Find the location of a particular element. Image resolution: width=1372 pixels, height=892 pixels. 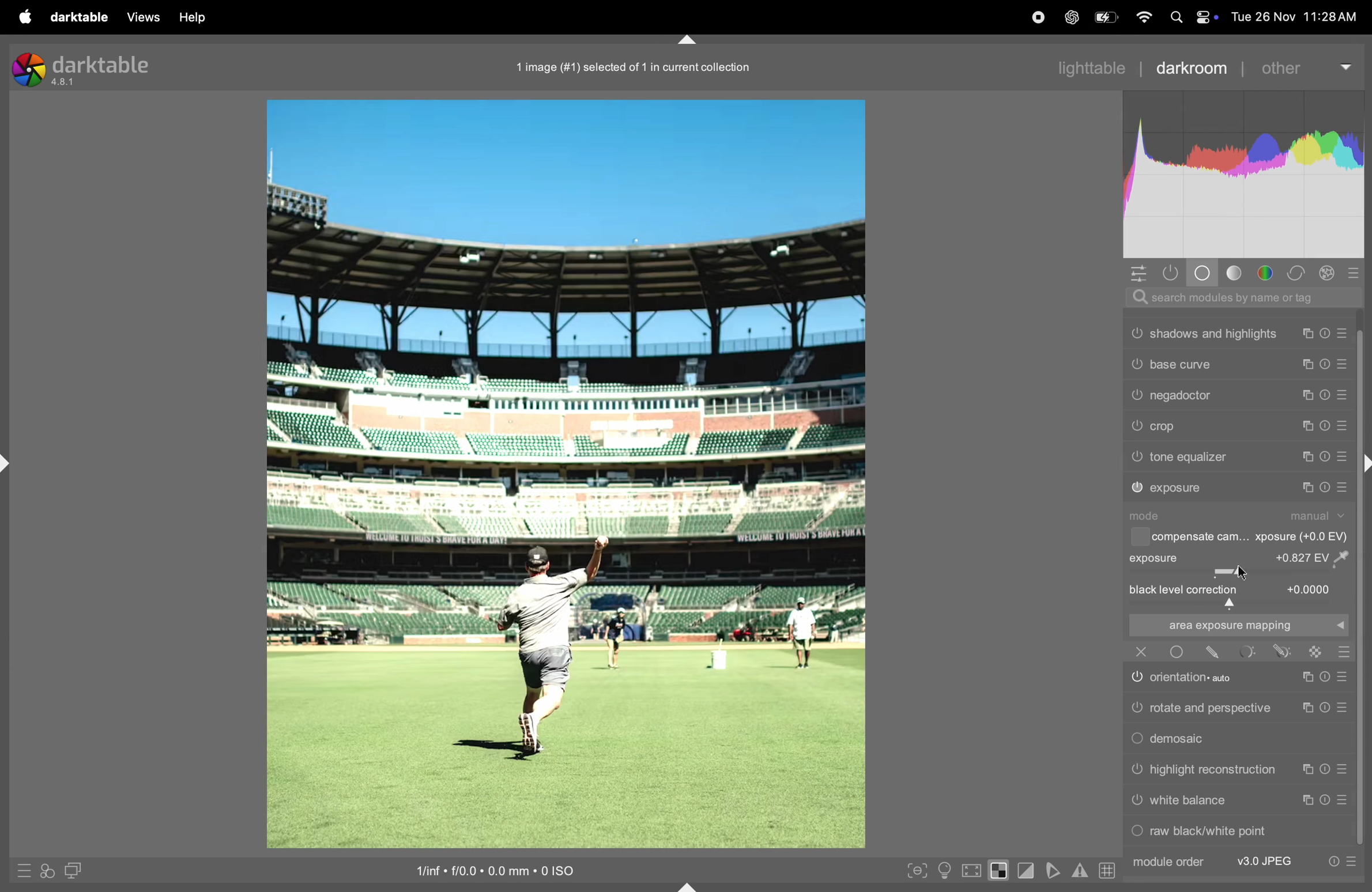

reset Preset is located at coordinates (1324, 770).